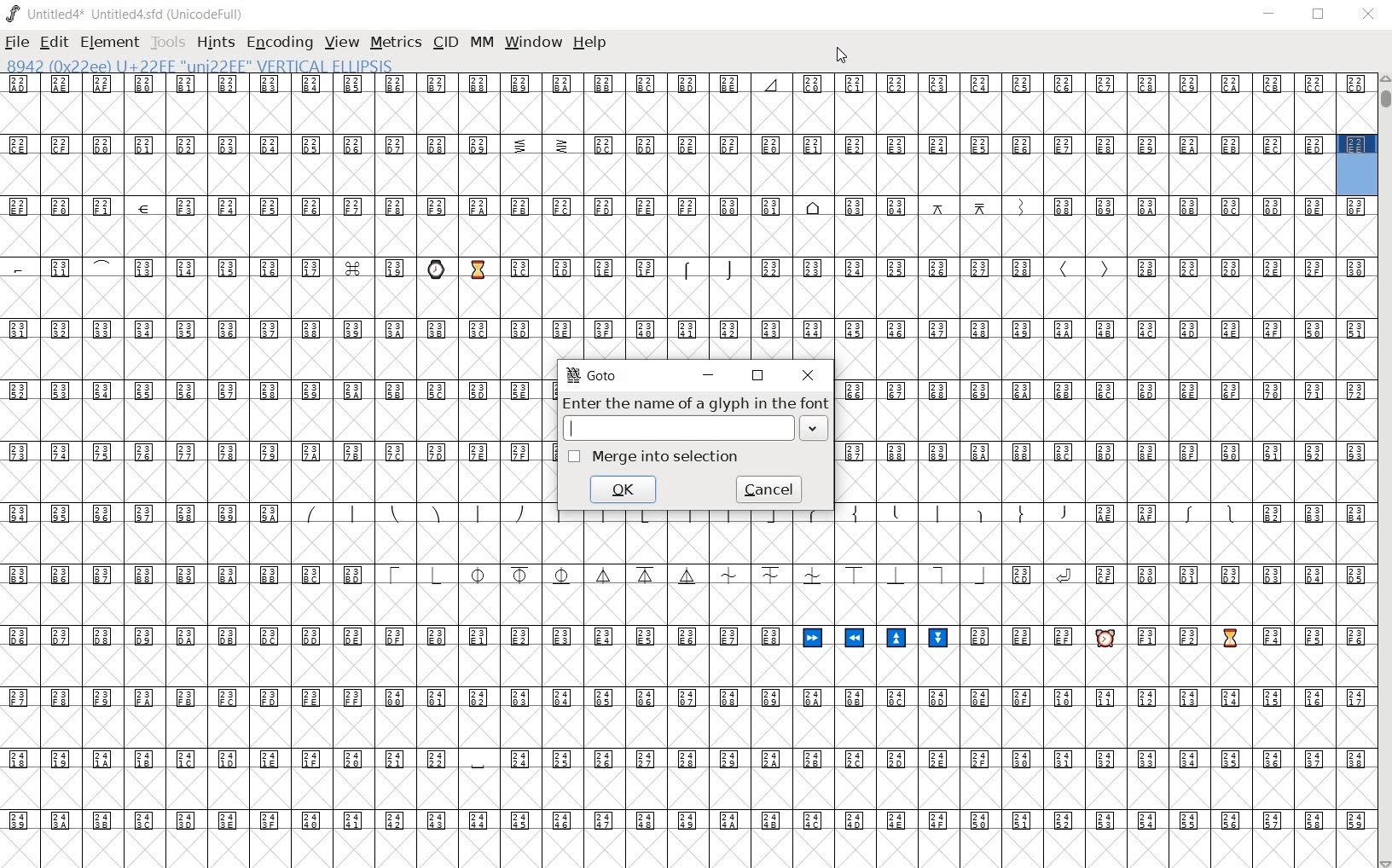 This screenshot has height=868, width=1392. What do you see at coordinates (589, 43) in the screenshot?
I see `HELP` at bounding box center [589, 43].